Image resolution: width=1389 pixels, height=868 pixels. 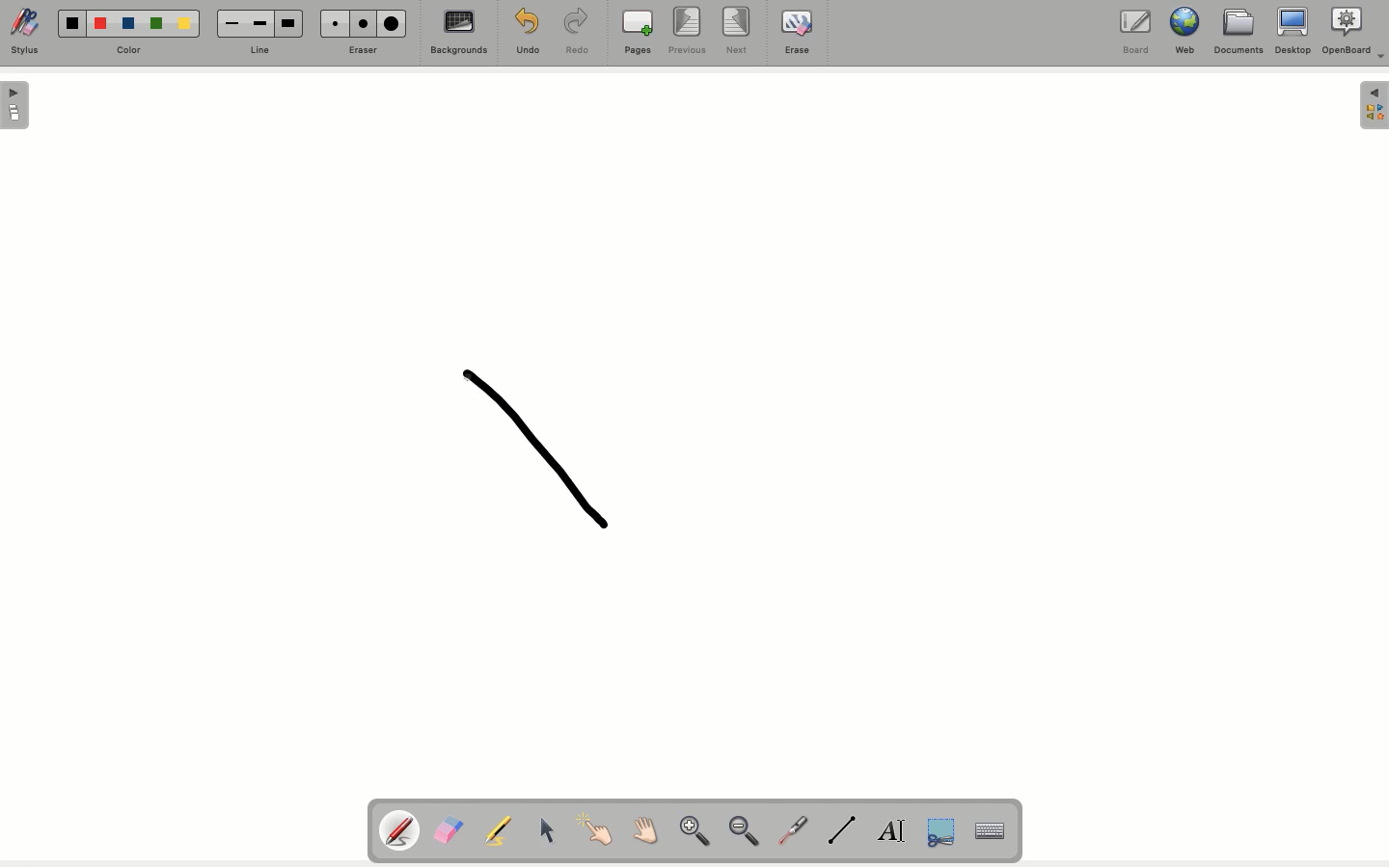 What do you see at coordinates (1292, 33) in the screenshot?
I see `Desktop` at bounding box center [1292, 33].